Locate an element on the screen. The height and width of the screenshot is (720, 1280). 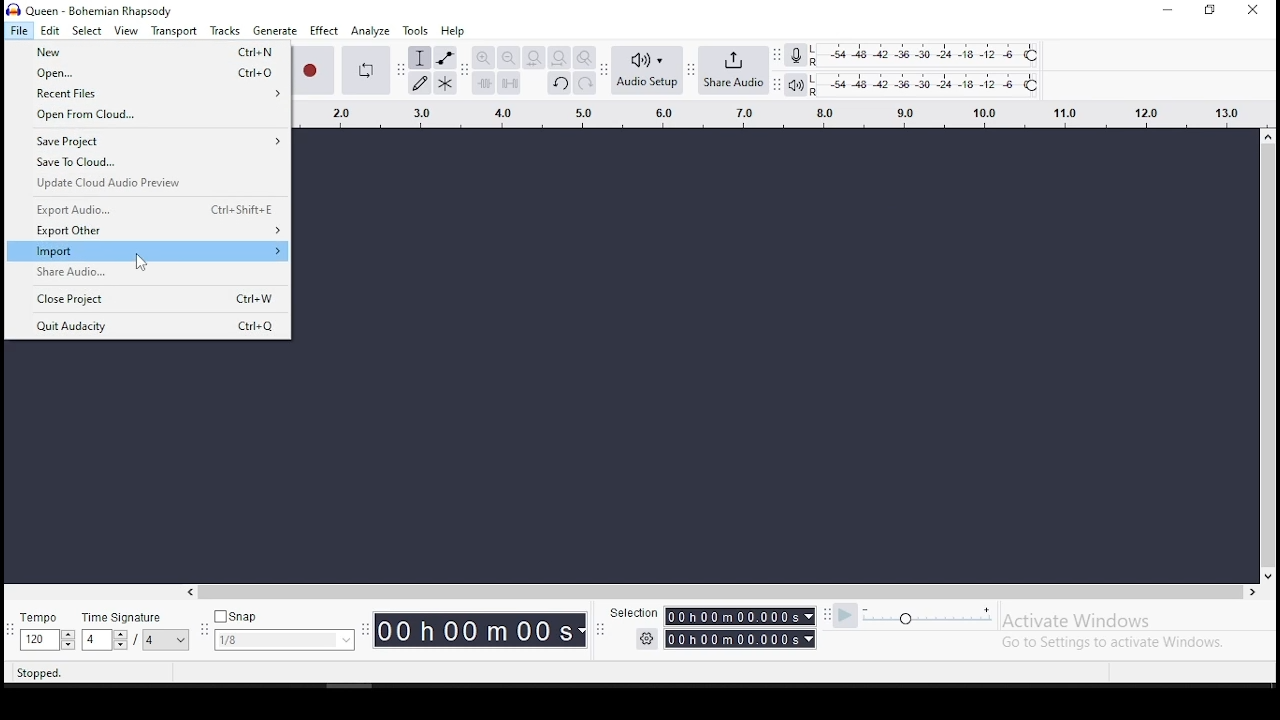
audio setup is located at coordinates (647, 70).